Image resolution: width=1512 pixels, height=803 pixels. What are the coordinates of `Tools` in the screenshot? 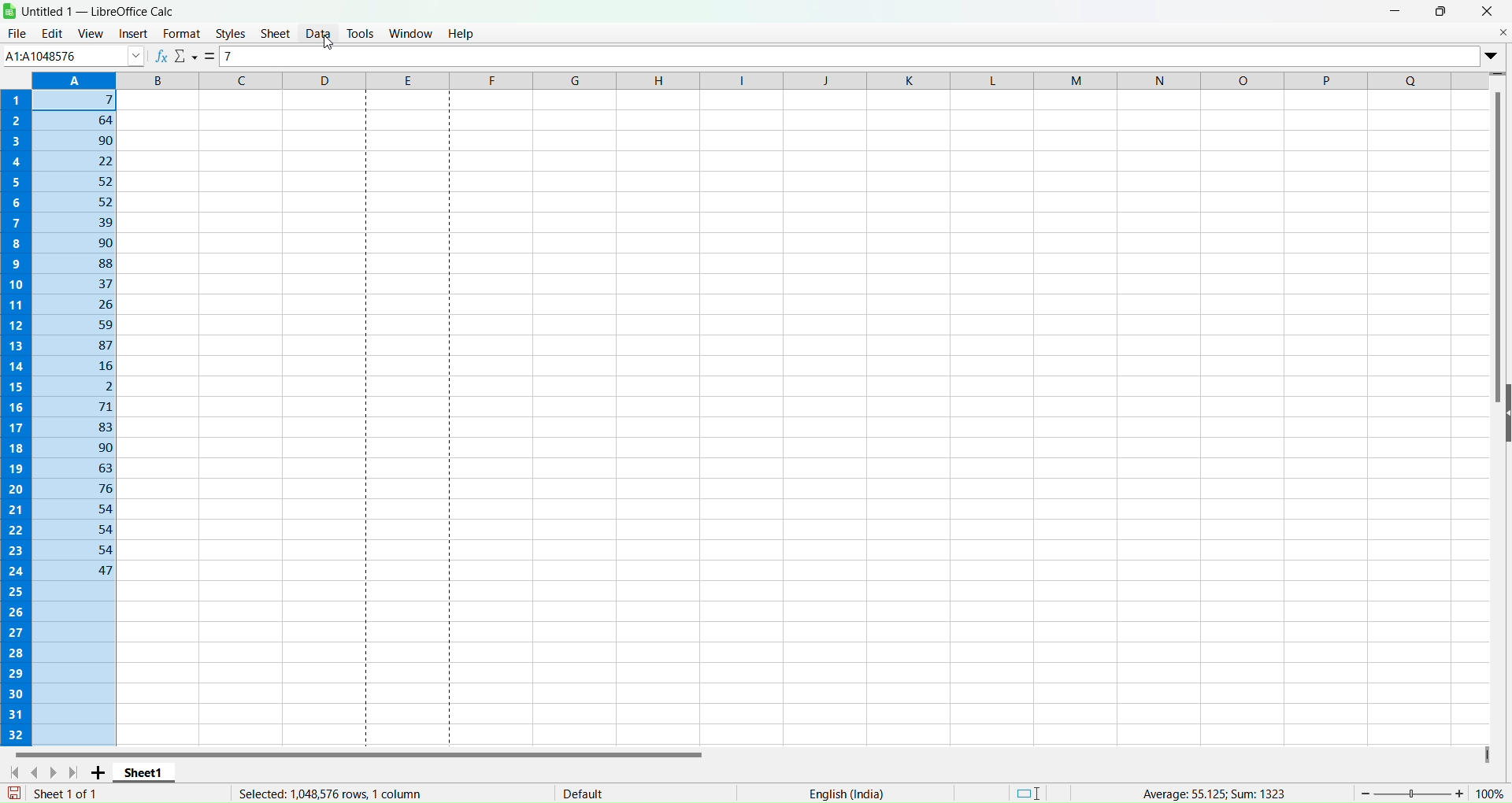 It's located at (361, 33).